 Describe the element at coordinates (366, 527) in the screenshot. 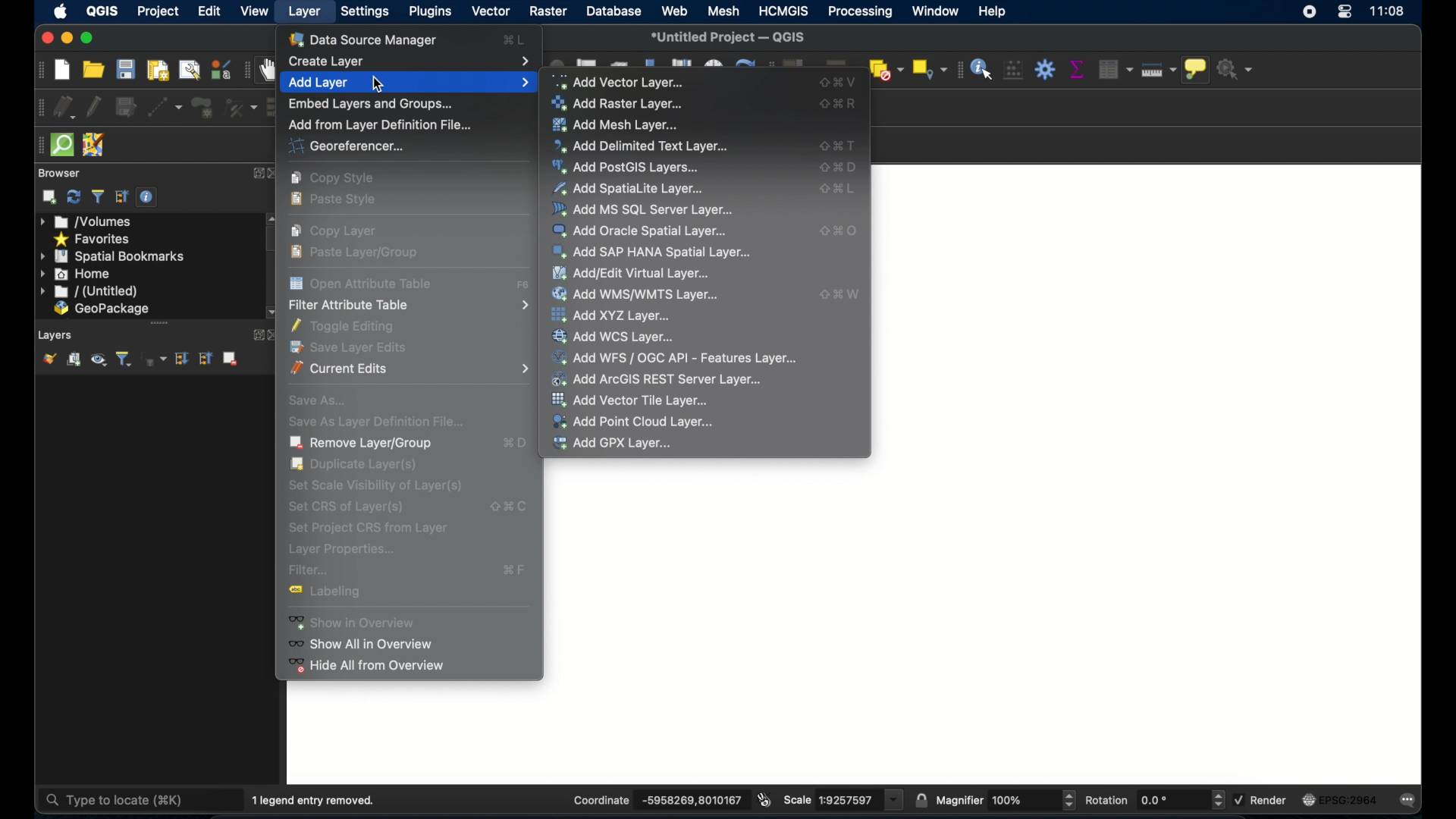

I see `set project csr from layer` at that location.